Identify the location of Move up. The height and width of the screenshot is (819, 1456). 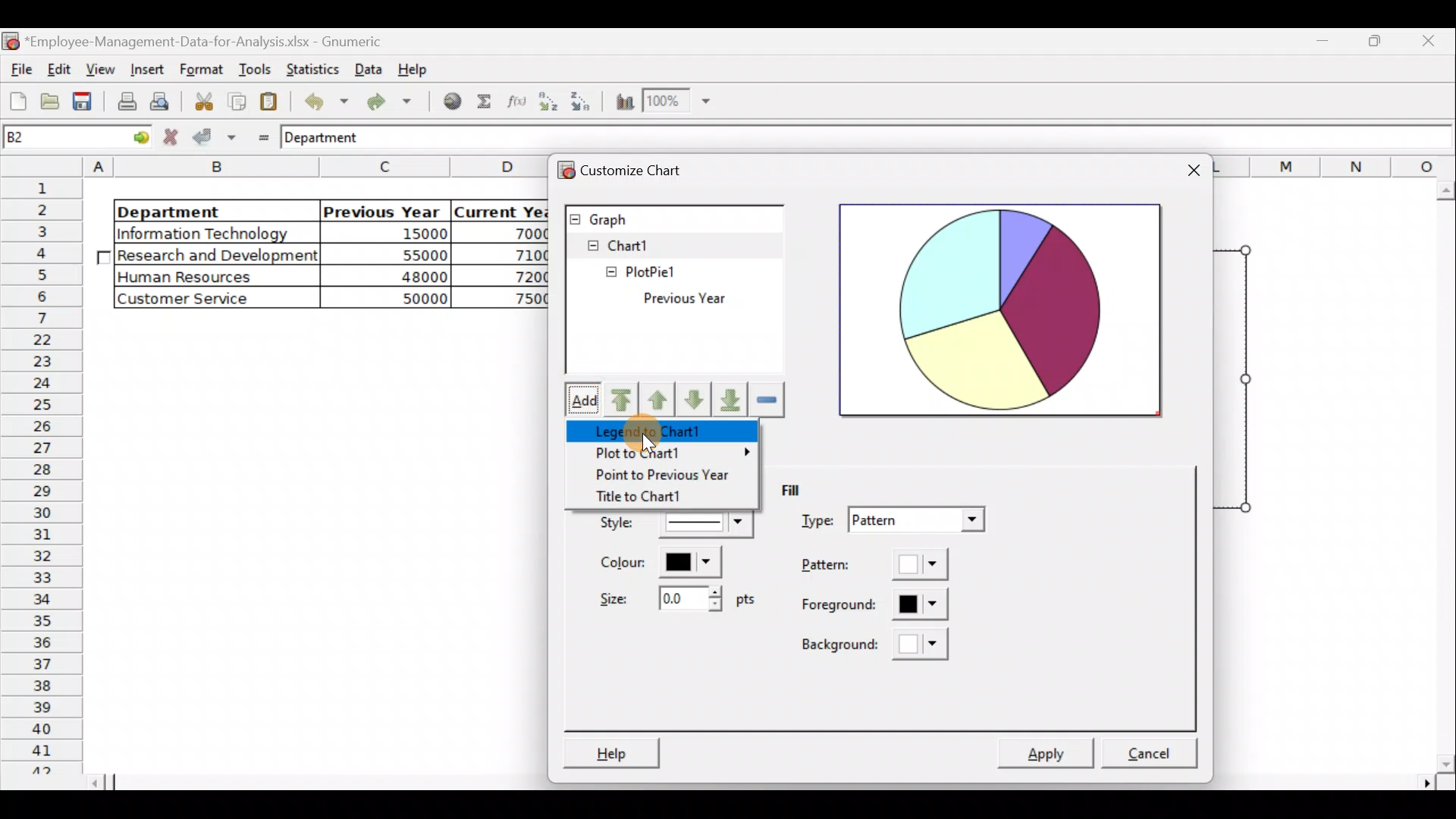
(660, 397).